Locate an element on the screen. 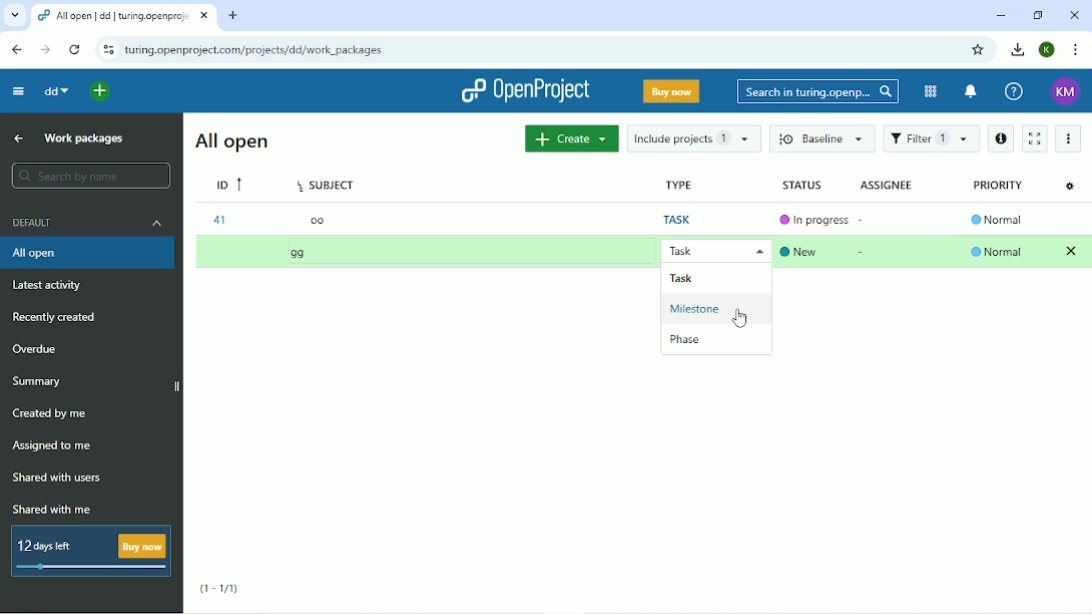 The height and width of the screenshot is (614, 1092). Normal is located at coordinates (997, 219).